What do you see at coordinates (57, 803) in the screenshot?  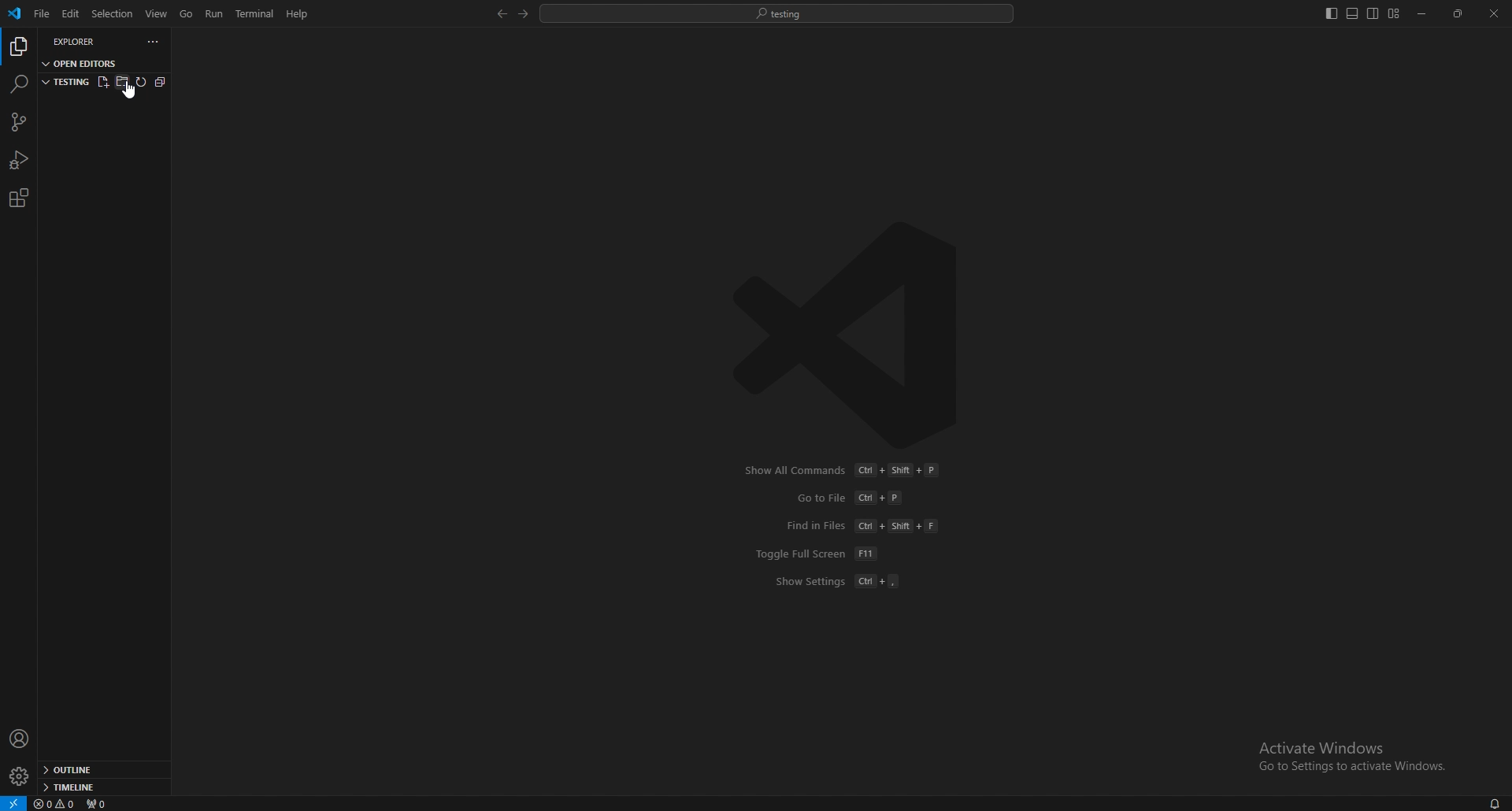 I see `errors` at bounding box center [57, 803].